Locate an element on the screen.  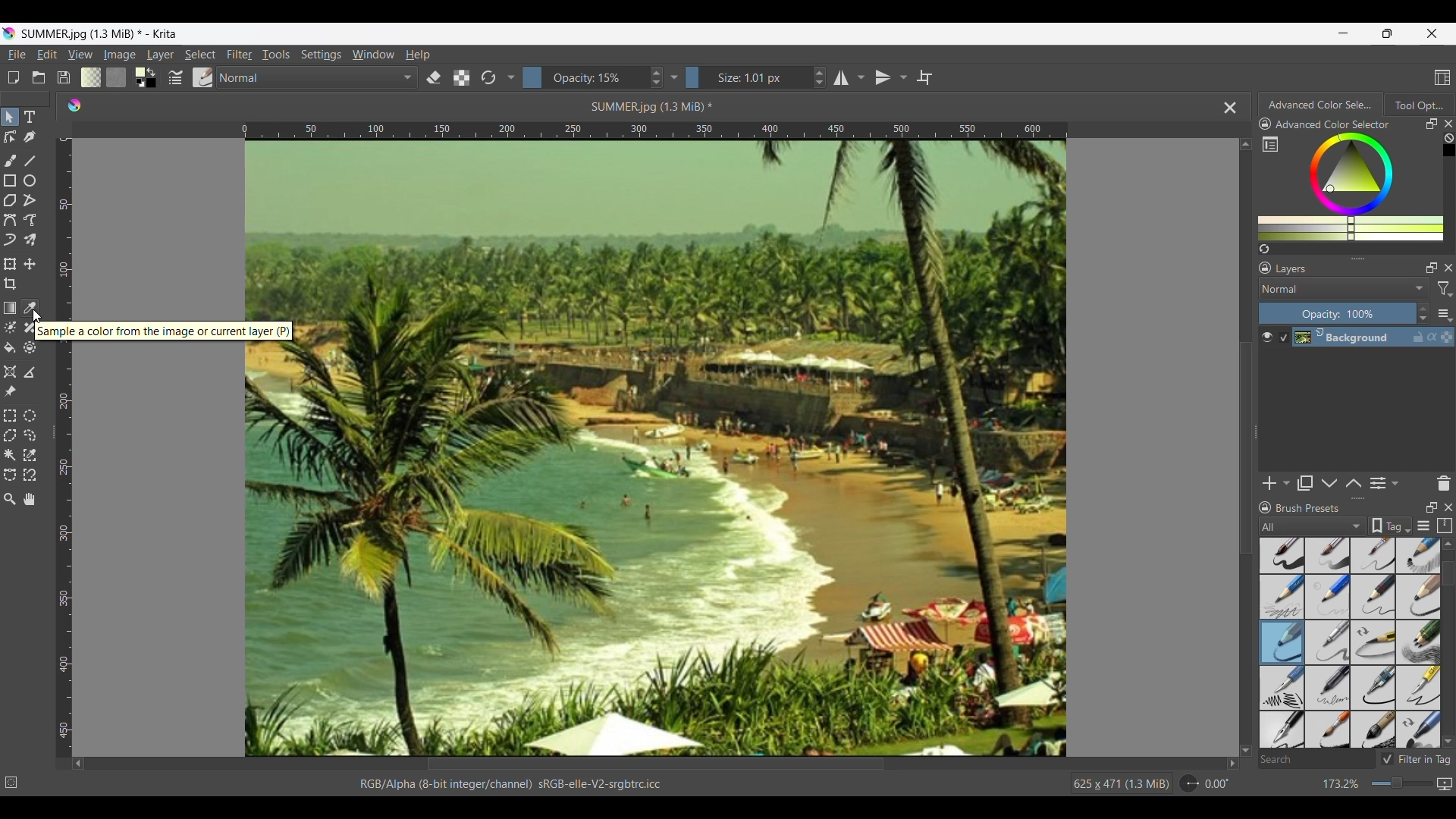
Polyline tool is located at coordinates (30, 200).